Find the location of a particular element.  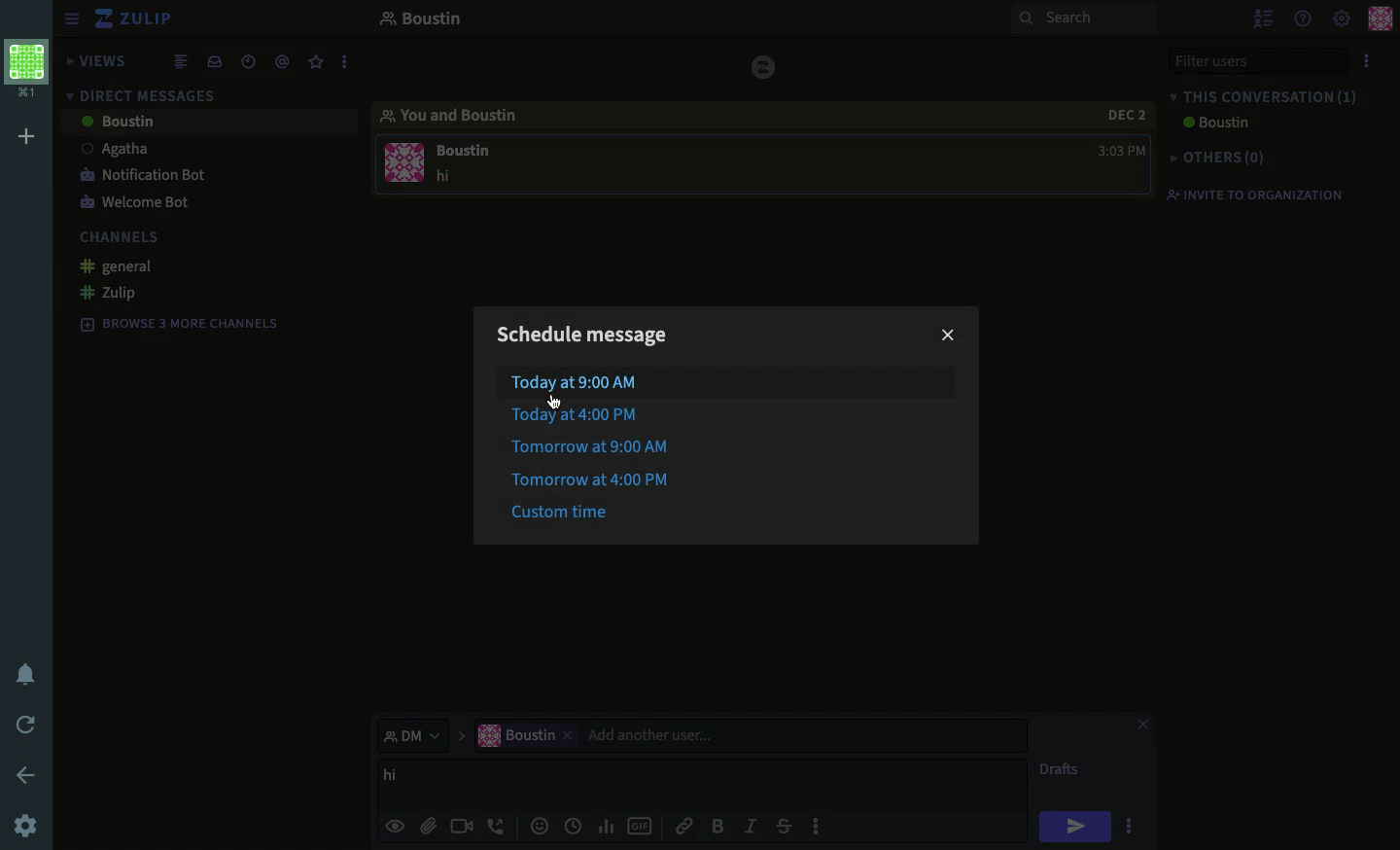

sidebar is located at coordinates (72, 20).